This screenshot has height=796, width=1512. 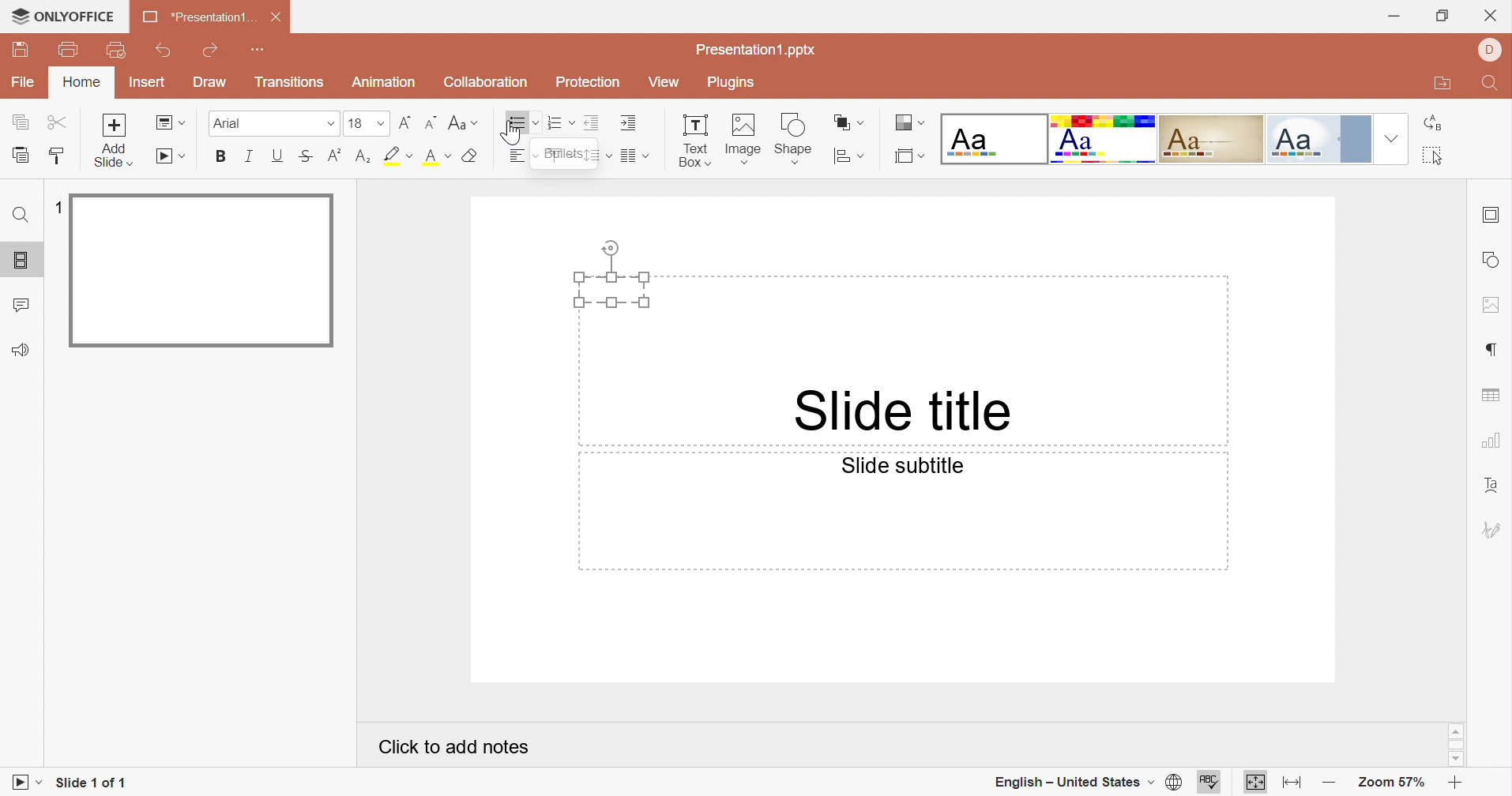 What do you see at coordinates (1491, 14) in the screenshot?
I see `Close` at bounding box center [1491, 14].